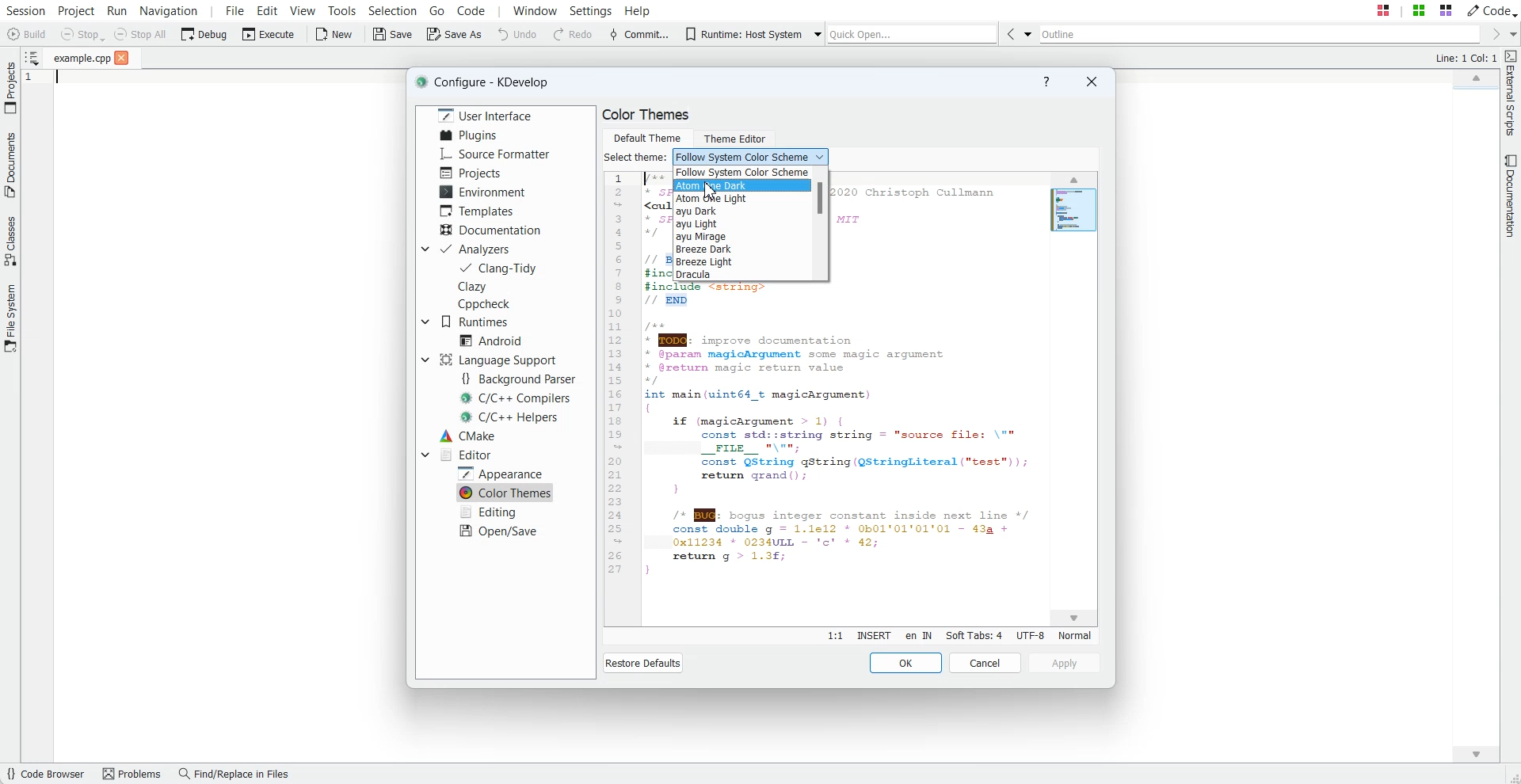  What do you see at coordinates (1258, 34) in the screenshot?
I see `Outline` at bounding box center [1258, 34].